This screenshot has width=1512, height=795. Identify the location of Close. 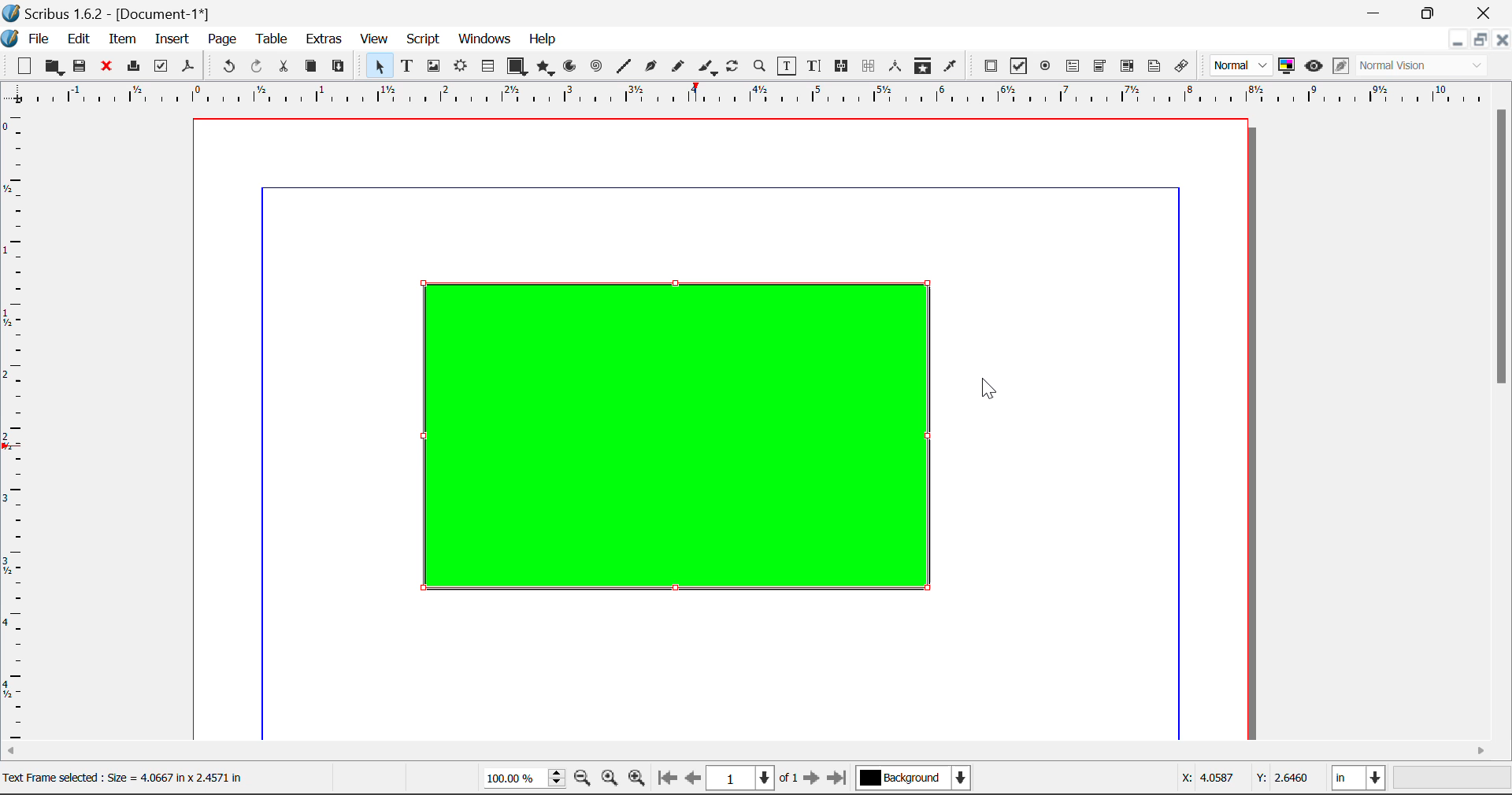
(1503, 39).